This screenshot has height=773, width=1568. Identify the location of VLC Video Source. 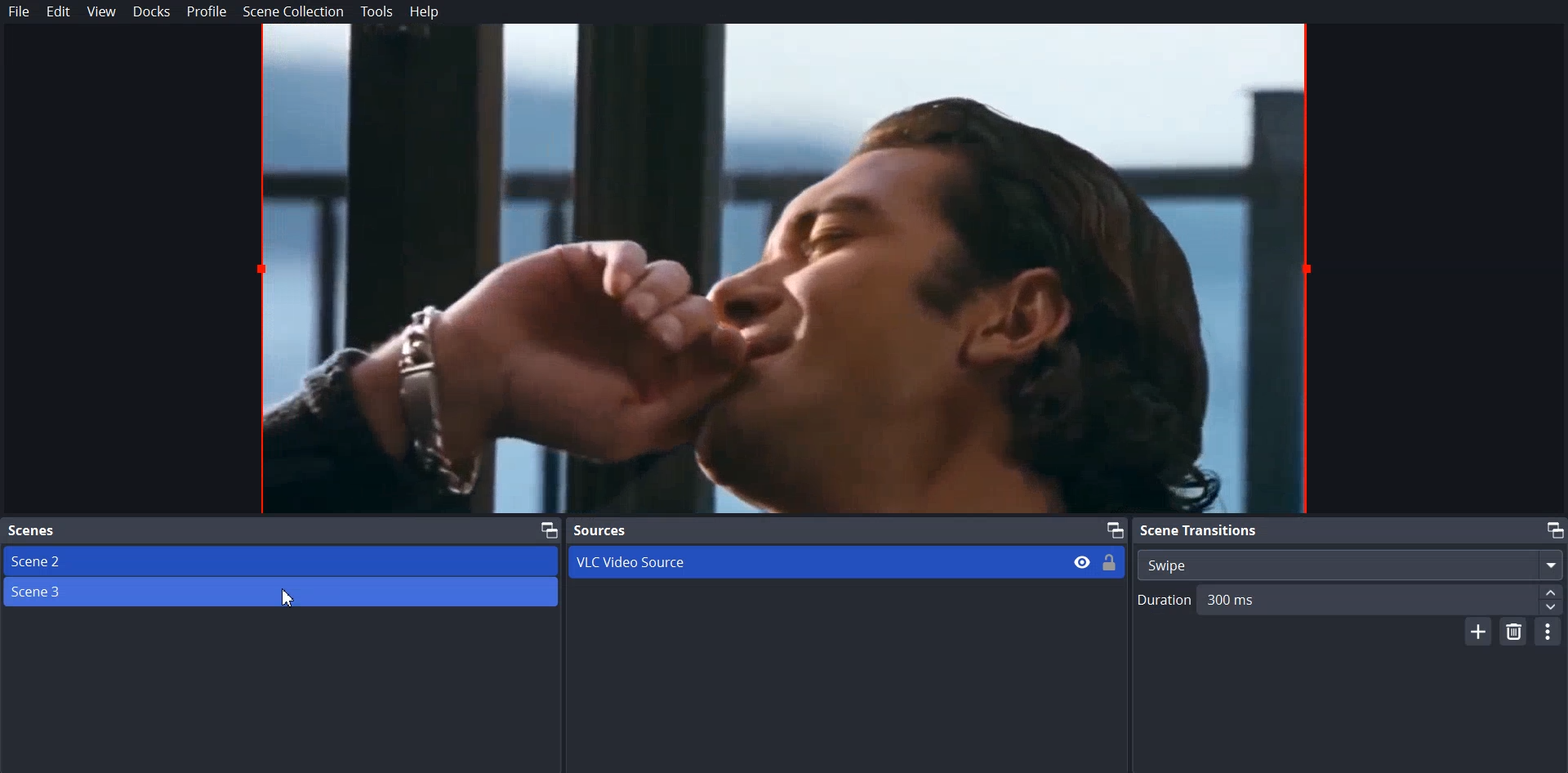
(812, 561).